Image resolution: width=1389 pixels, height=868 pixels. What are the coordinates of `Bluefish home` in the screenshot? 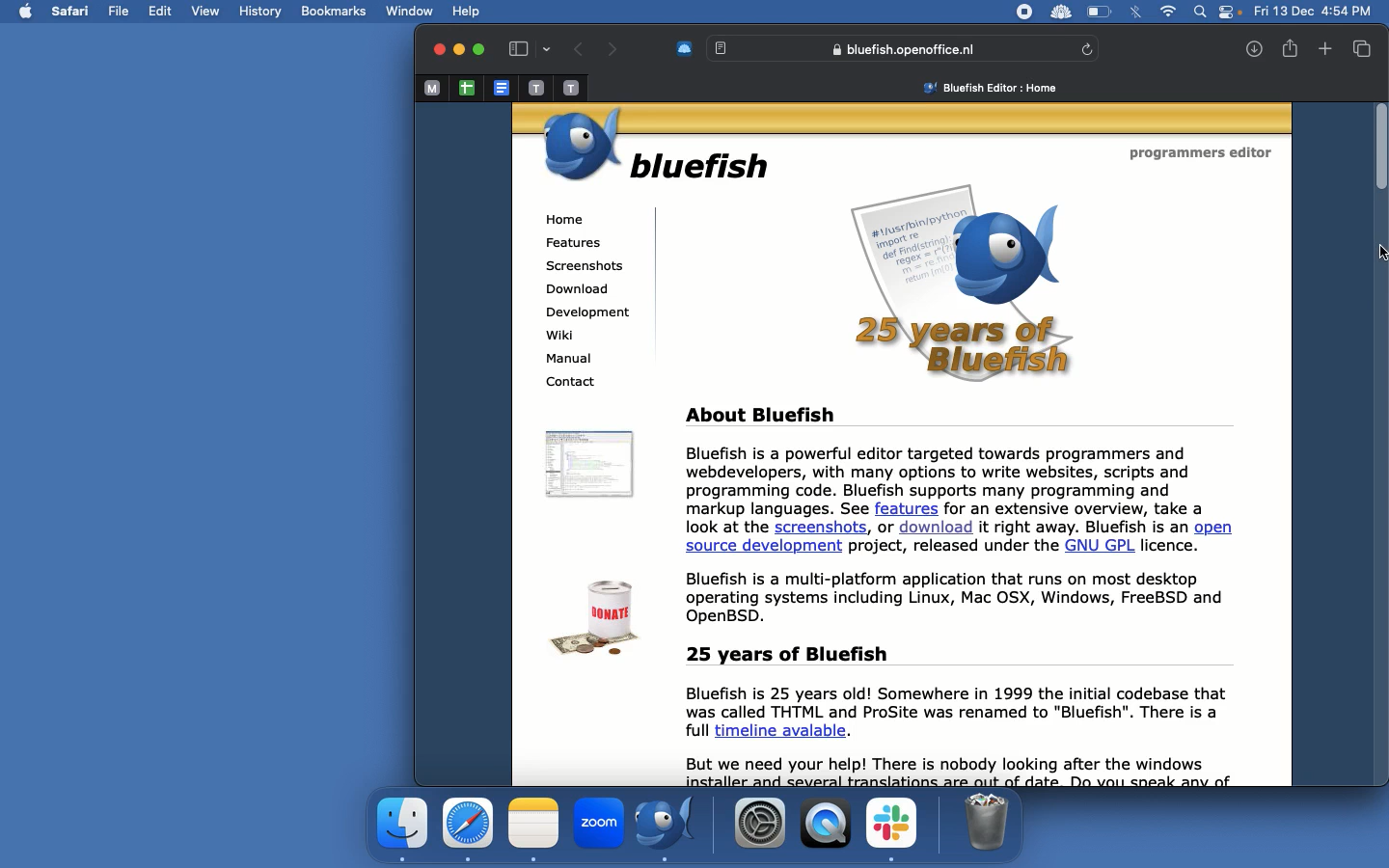 It's located at (982, 88).